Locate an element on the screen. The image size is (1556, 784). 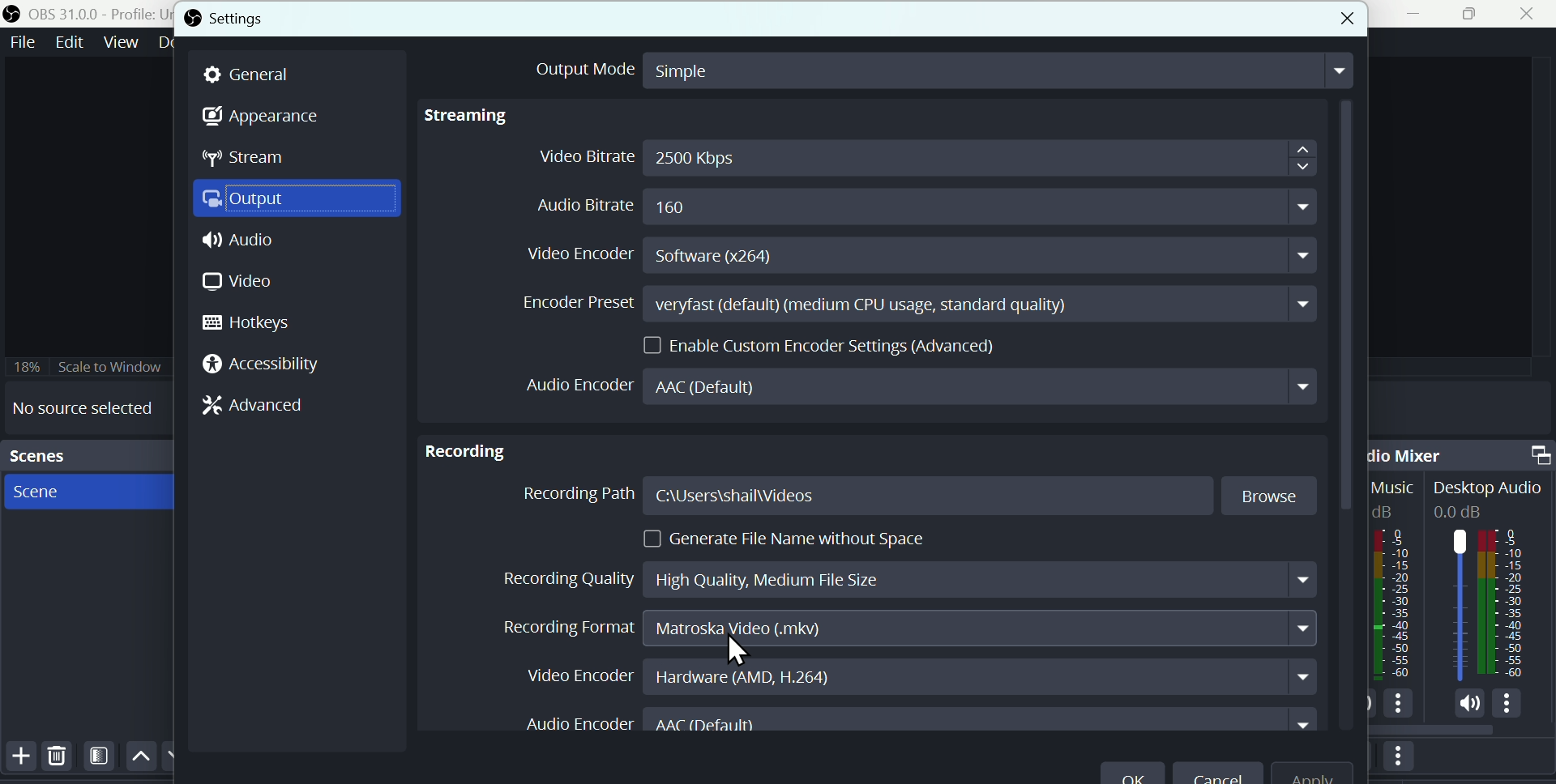
Enable custom encoder settings is located at coordinates (816, 346).